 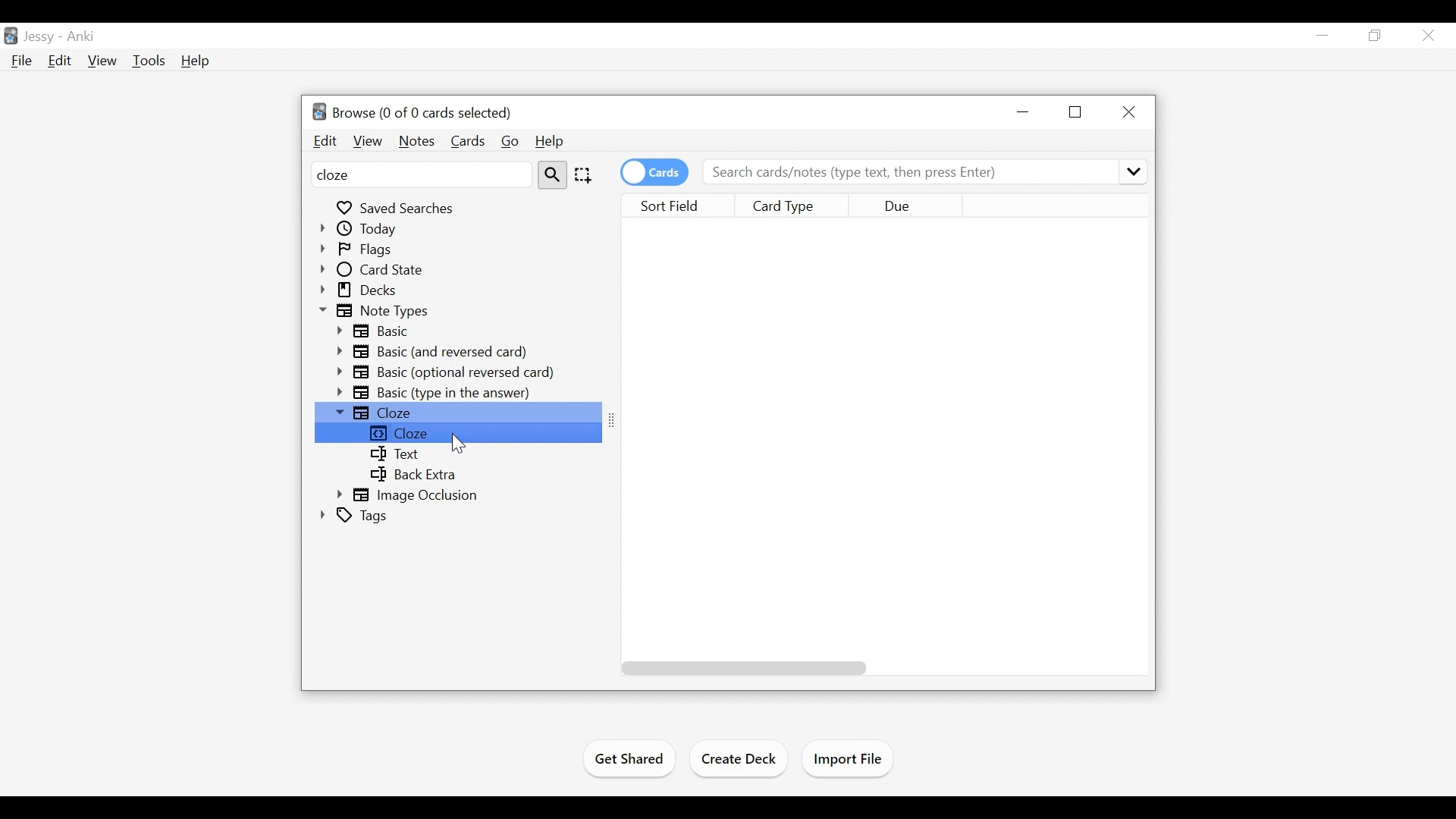 What do you see at coordinates (359, 251) in the screenshot?
I see `` at bounding box center [359, 251].